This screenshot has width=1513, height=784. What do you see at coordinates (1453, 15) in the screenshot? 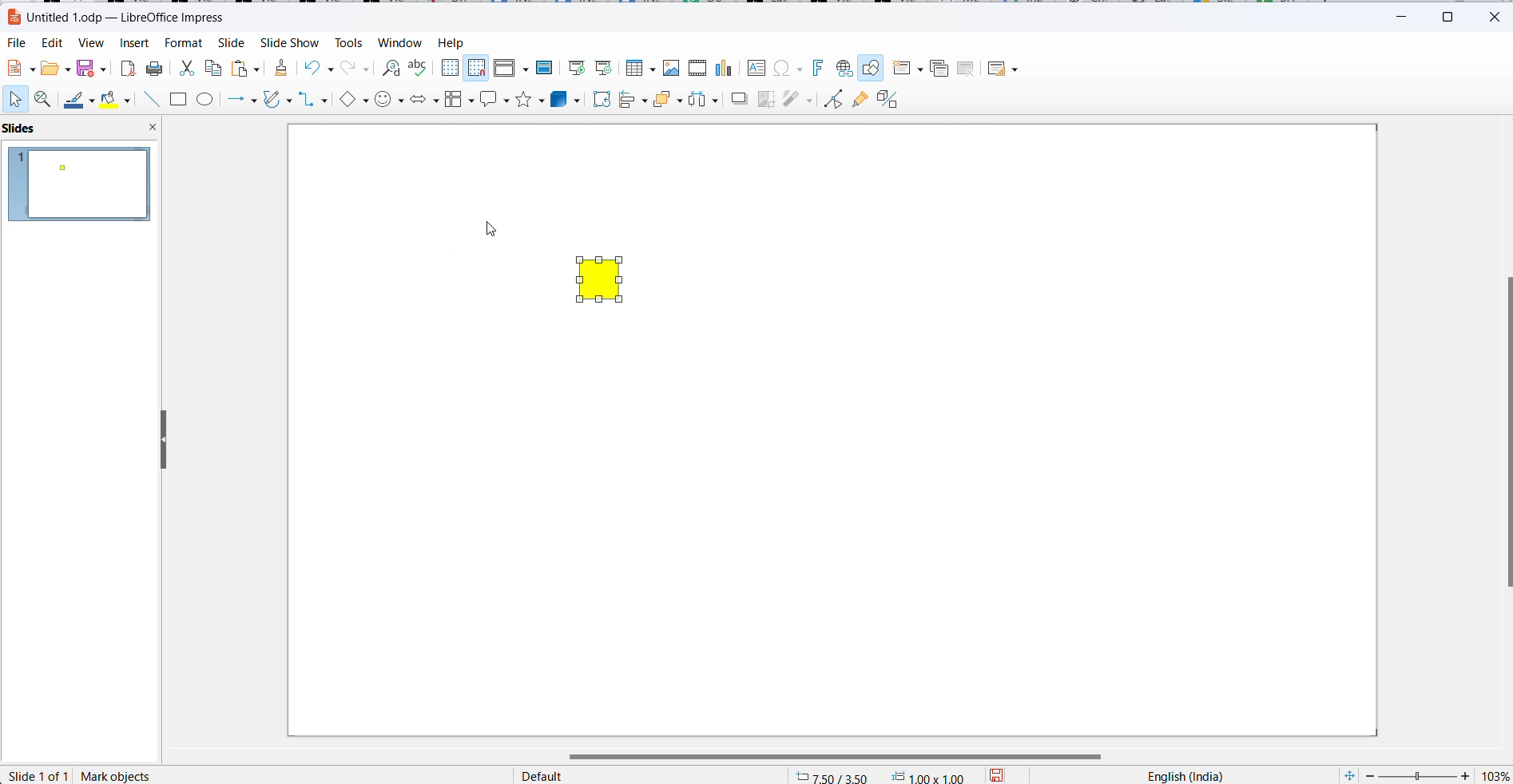
I see `maximize` at bounding box center [1453, 15].